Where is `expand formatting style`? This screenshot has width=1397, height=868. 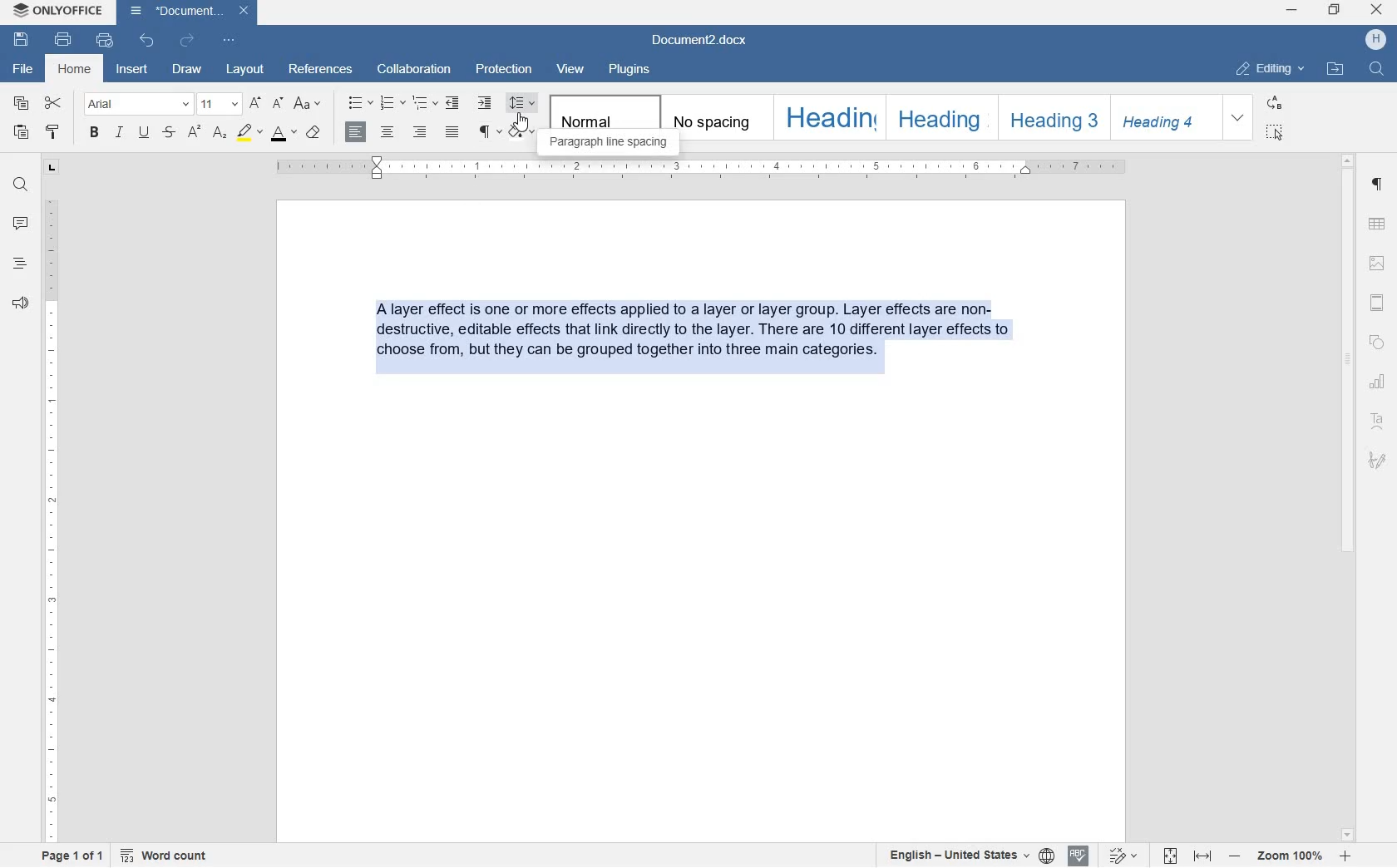 expand formatting style is located at coordinates (1240, 118).